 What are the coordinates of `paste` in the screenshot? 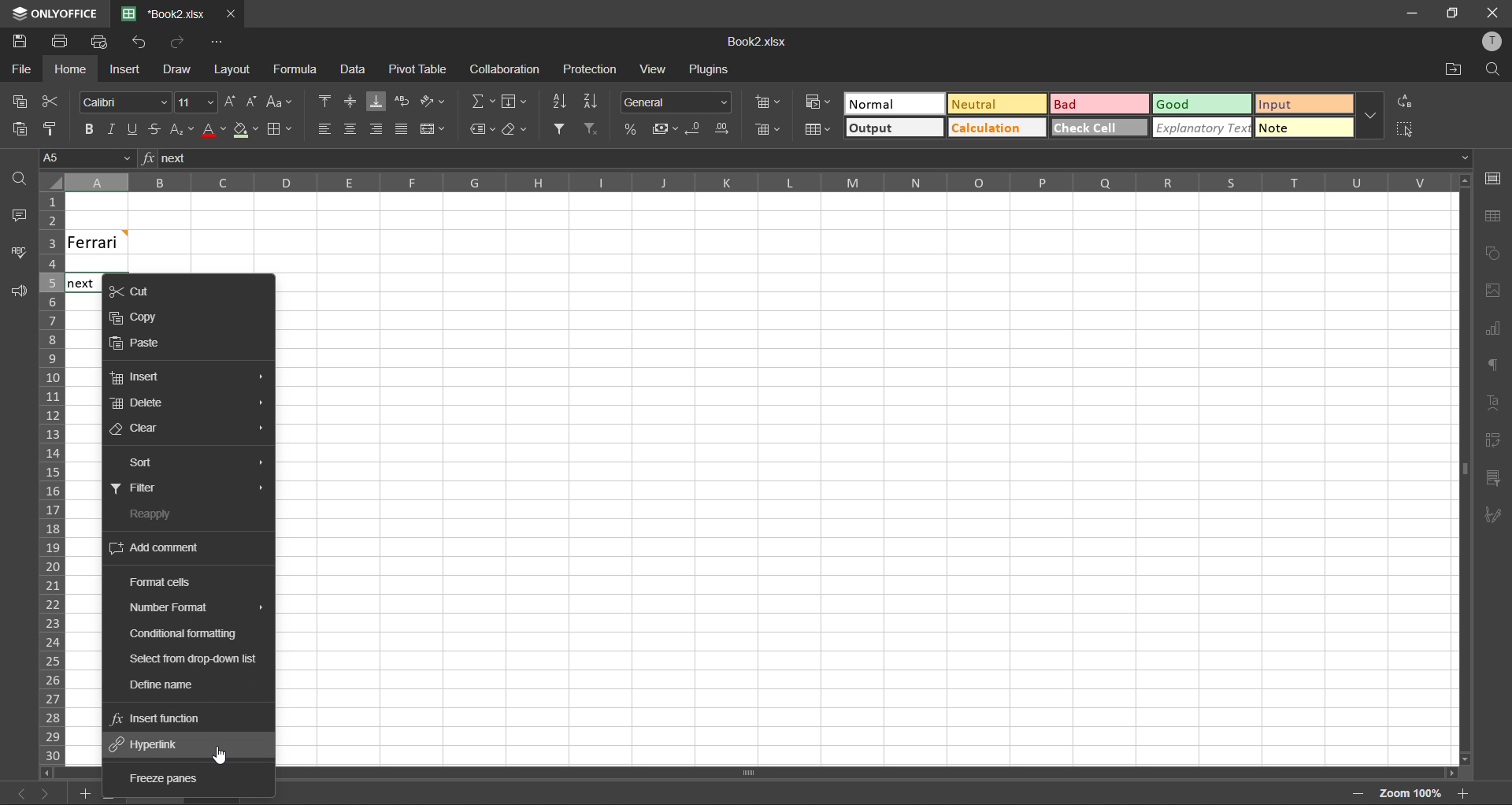 It's located at (142, 344).